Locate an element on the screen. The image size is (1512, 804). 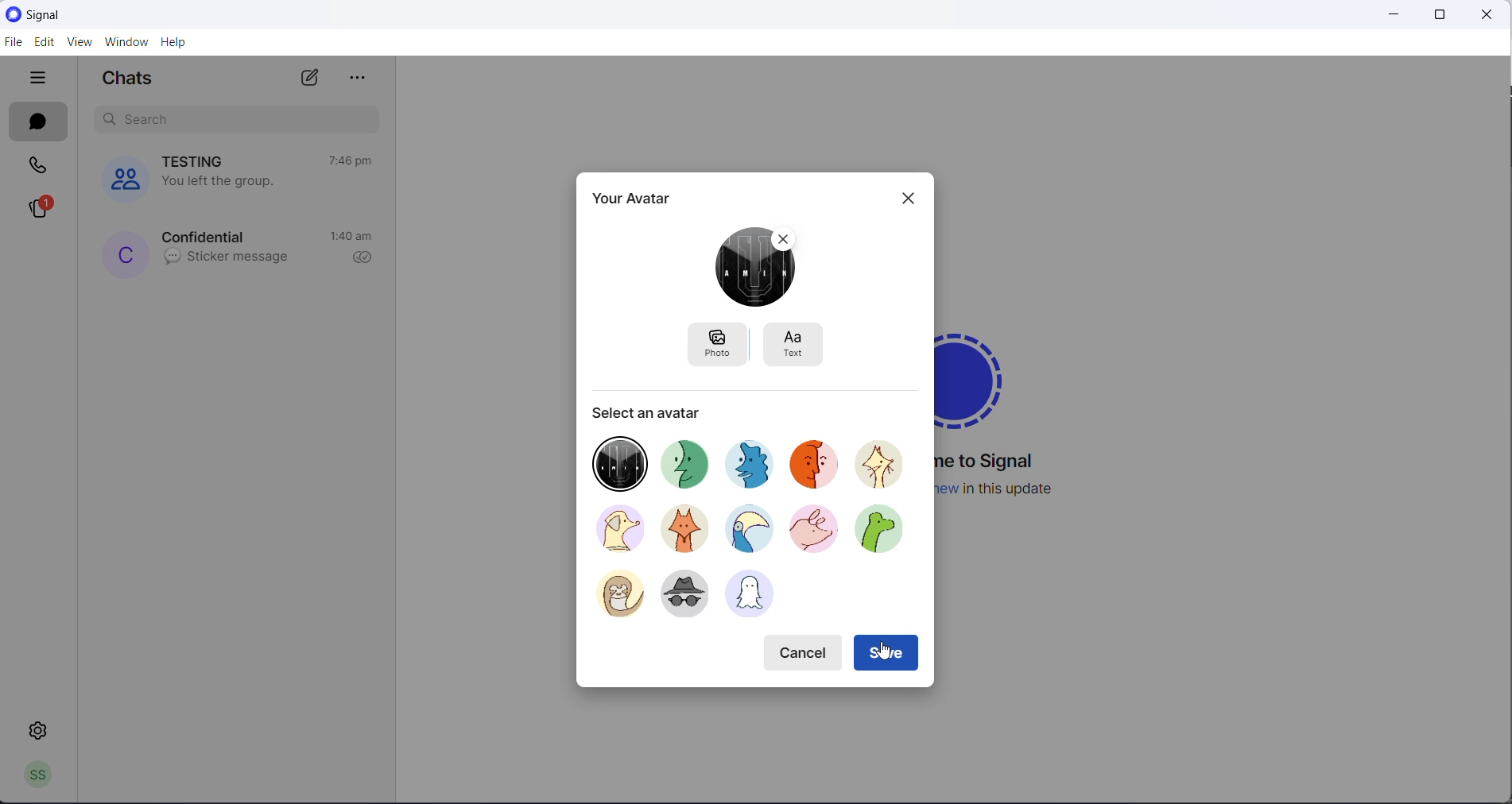
avatar is located at coordinates (613, 592).